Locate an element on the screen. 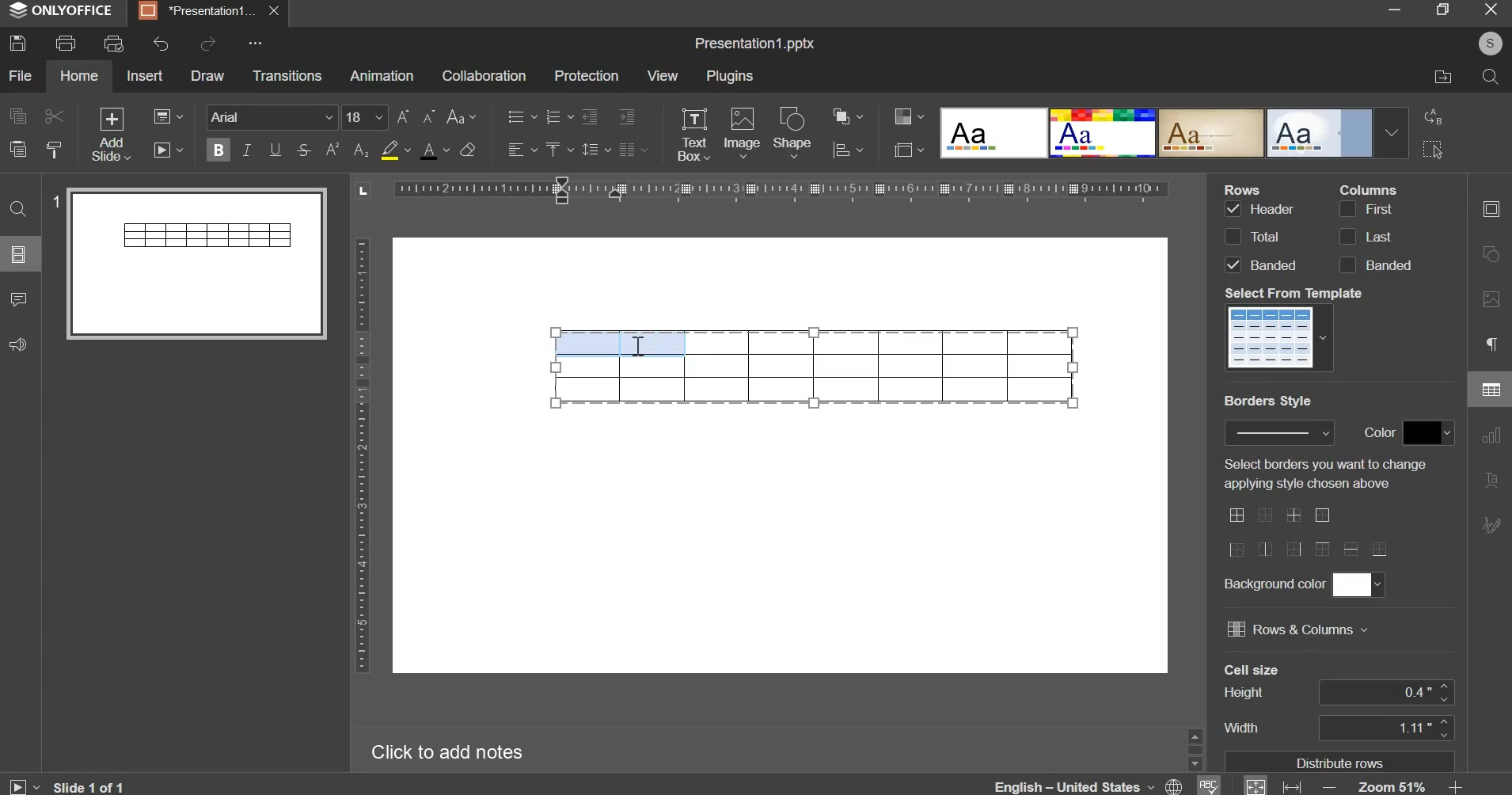 Image resolution: width=1512 pixels, height=795 pixels. text color is located at coordinates (434, 150).